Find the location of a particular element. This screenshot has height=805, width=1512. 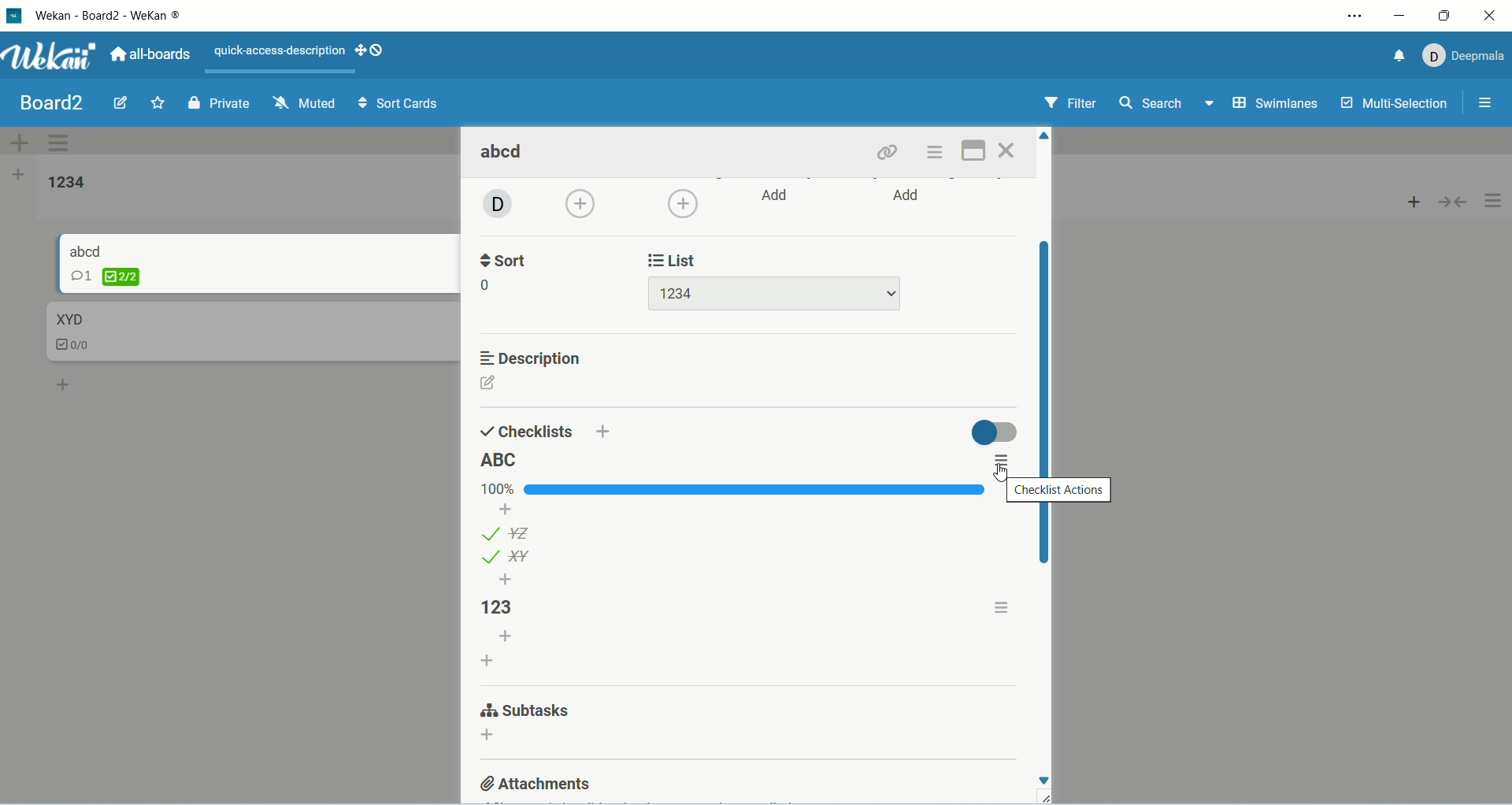

close is located at coordinates (1483, 17).